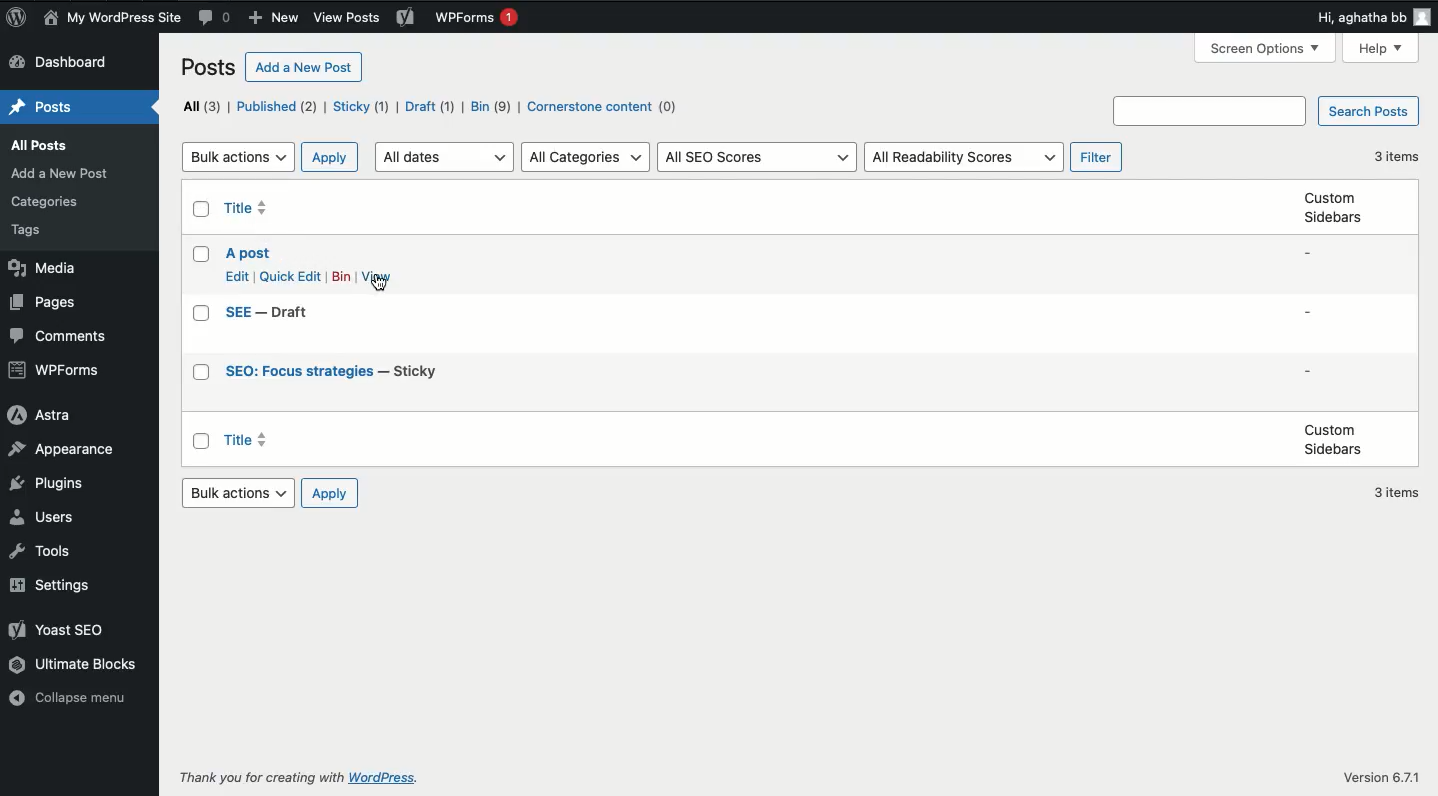 This screenshot has width=1438, height=796. Describe the element at coordinates (236, 276) in the screenshot. I see `Edit` at that location.